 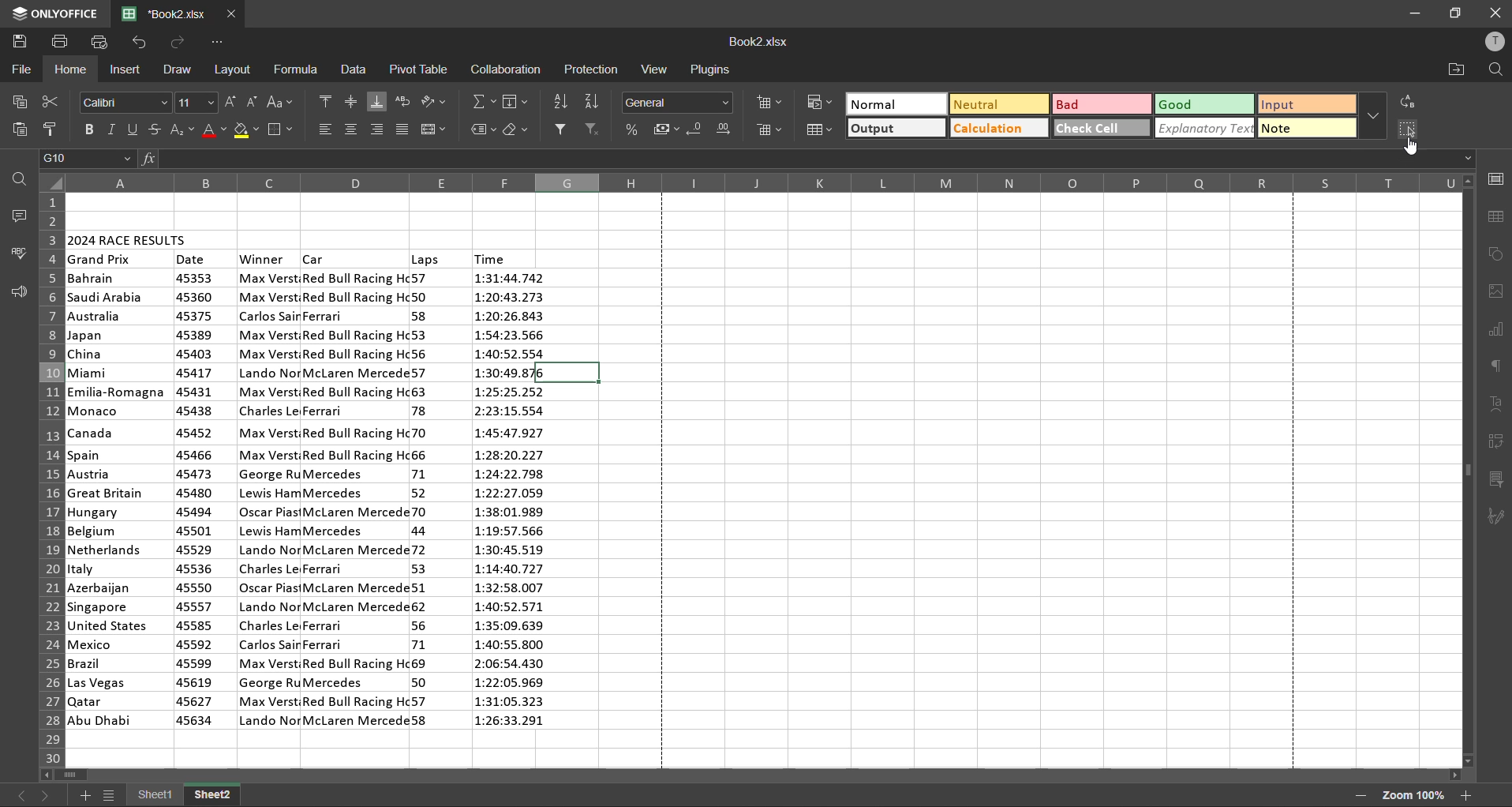 I want to click on bad, so click(x=1099, y=106).